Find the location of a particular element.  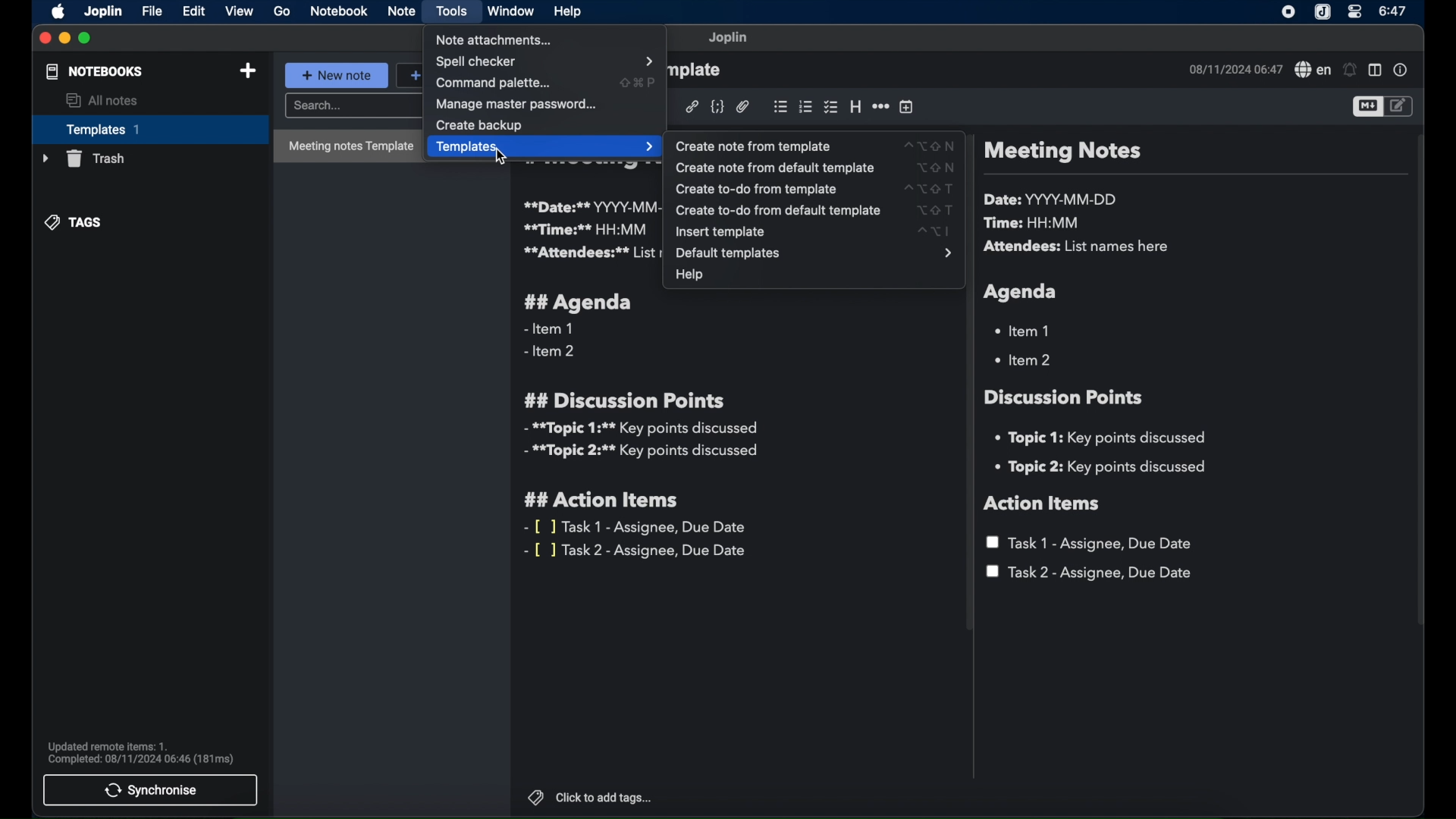

trash is located at coordinates (82, 158).